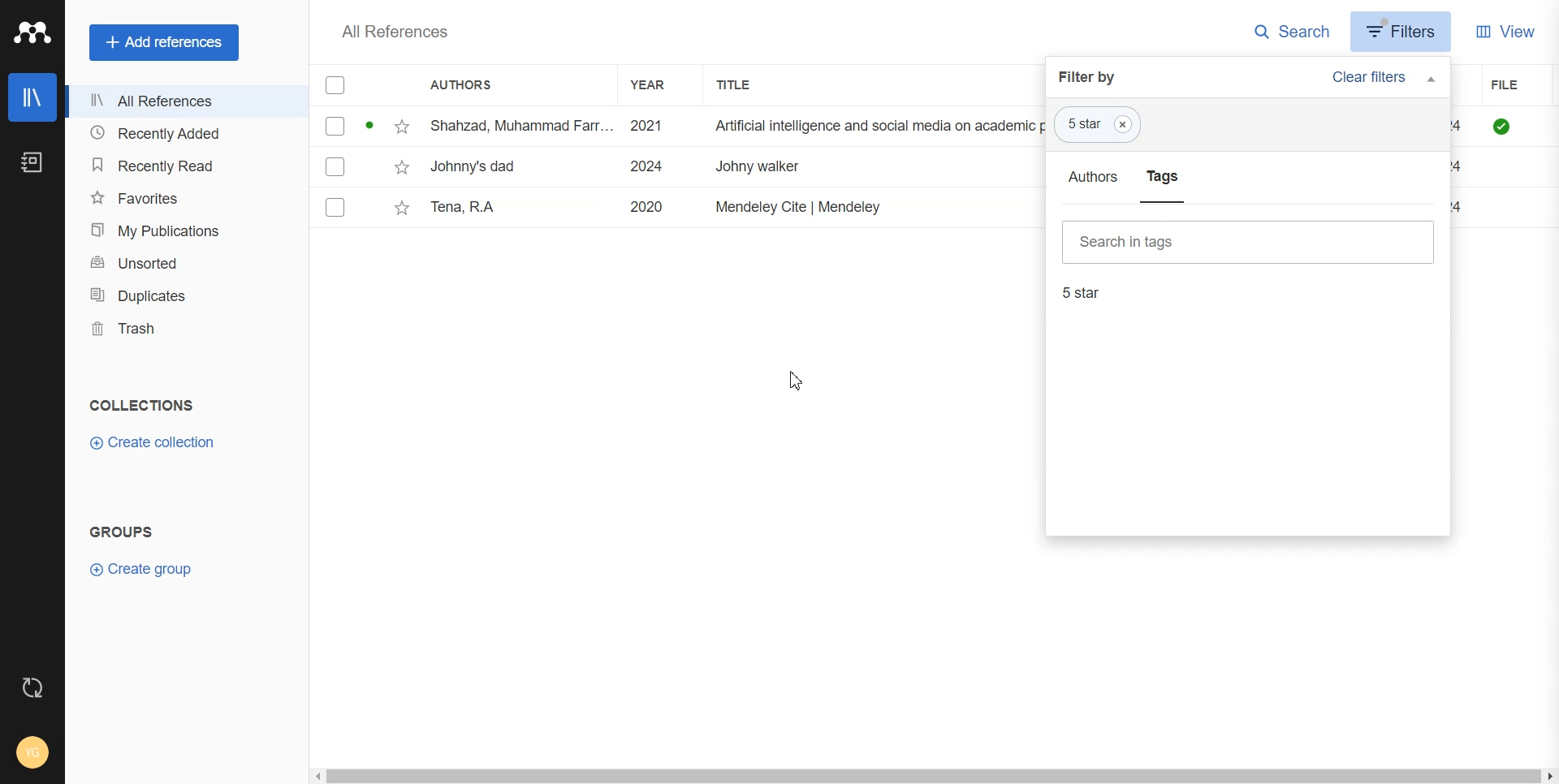 This screenshot has height=784, width=1559. What do you see at coordinates (184, 294) in the screenshot?
I see `Duplicates` at bounding box center [184, 294].